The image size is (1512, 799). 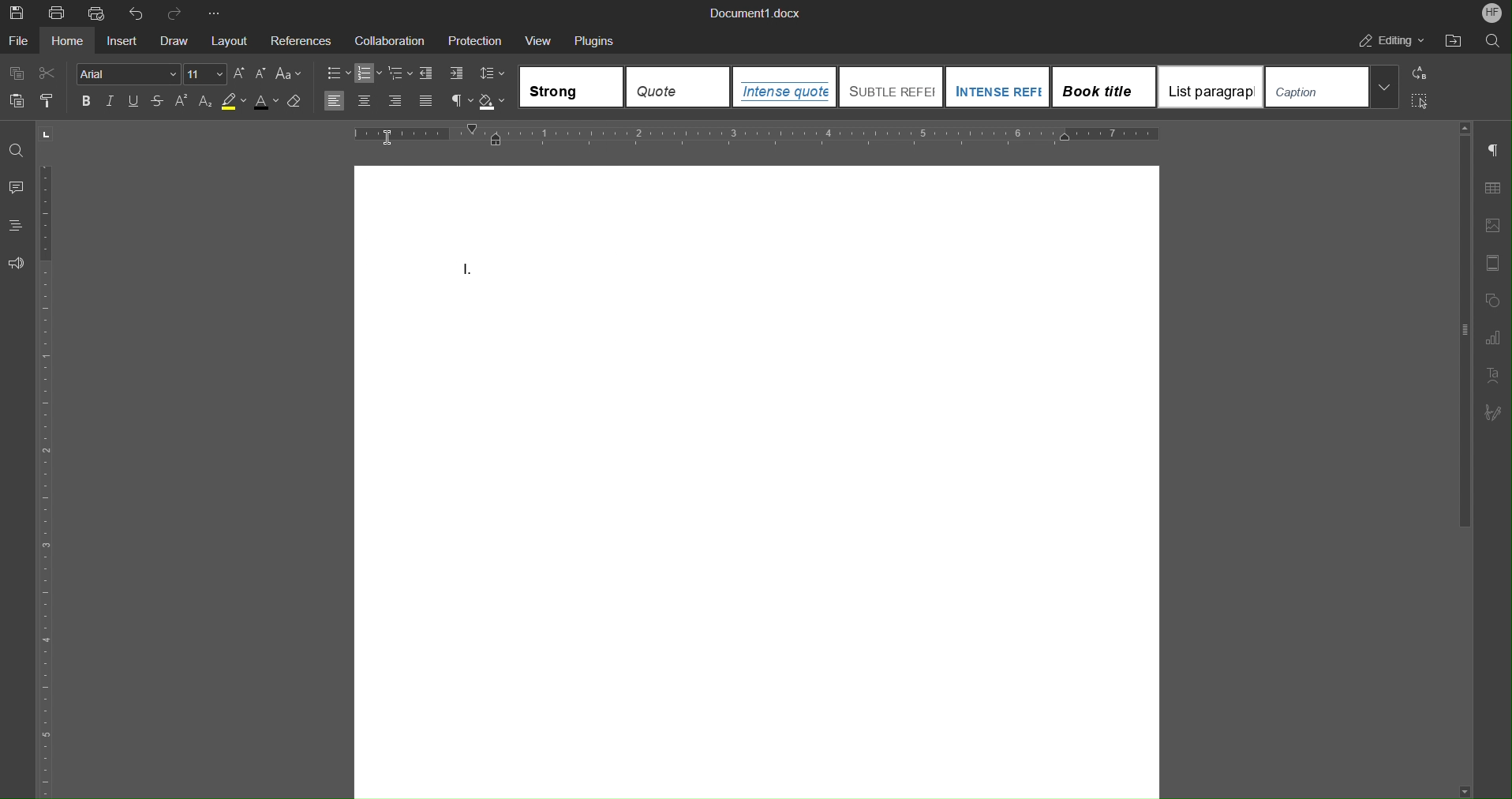 I want to click on Quick Print, so click(x=99, y=13).